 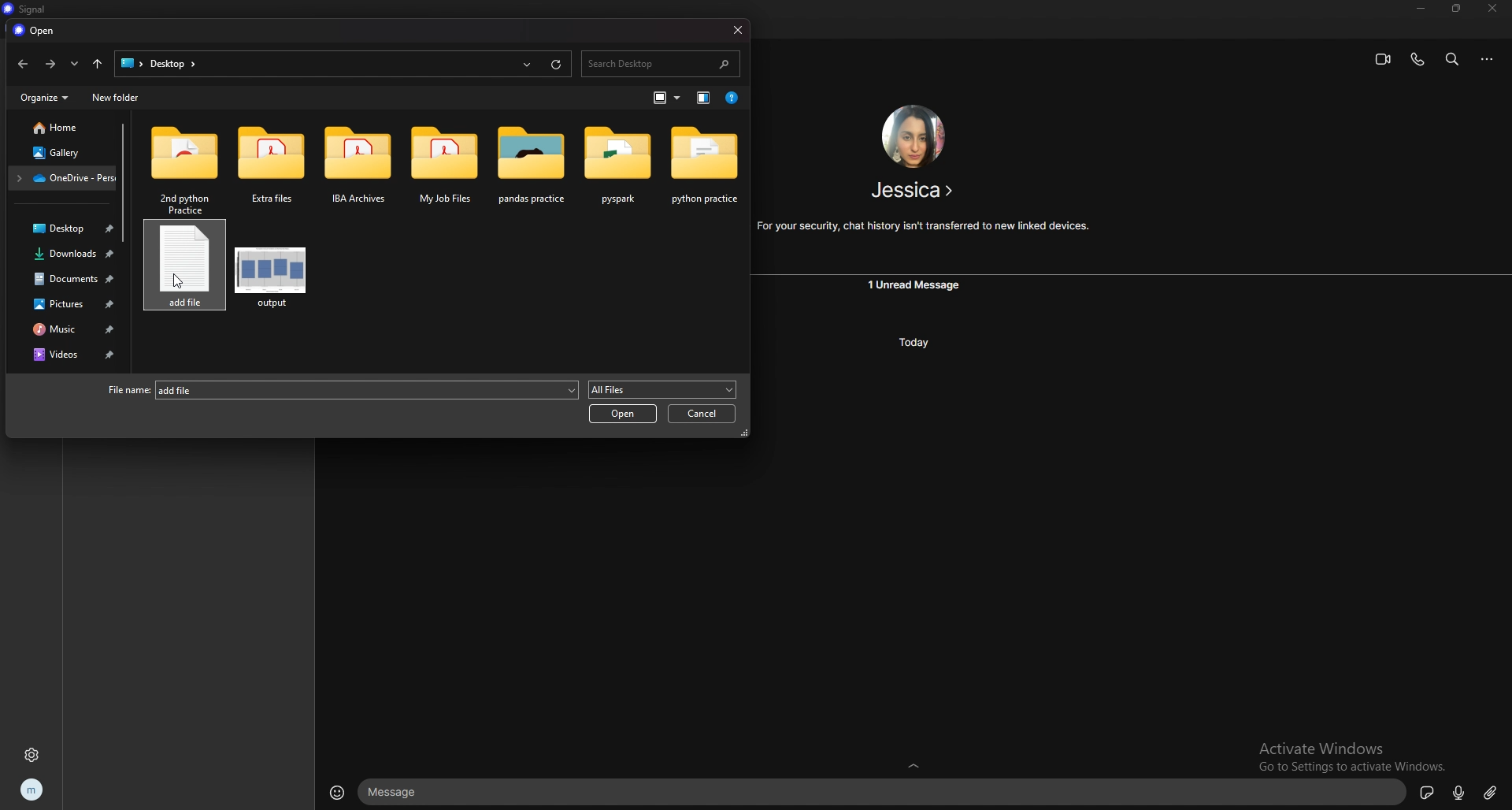 I want to click on pictures, so click(x=65, y=303).